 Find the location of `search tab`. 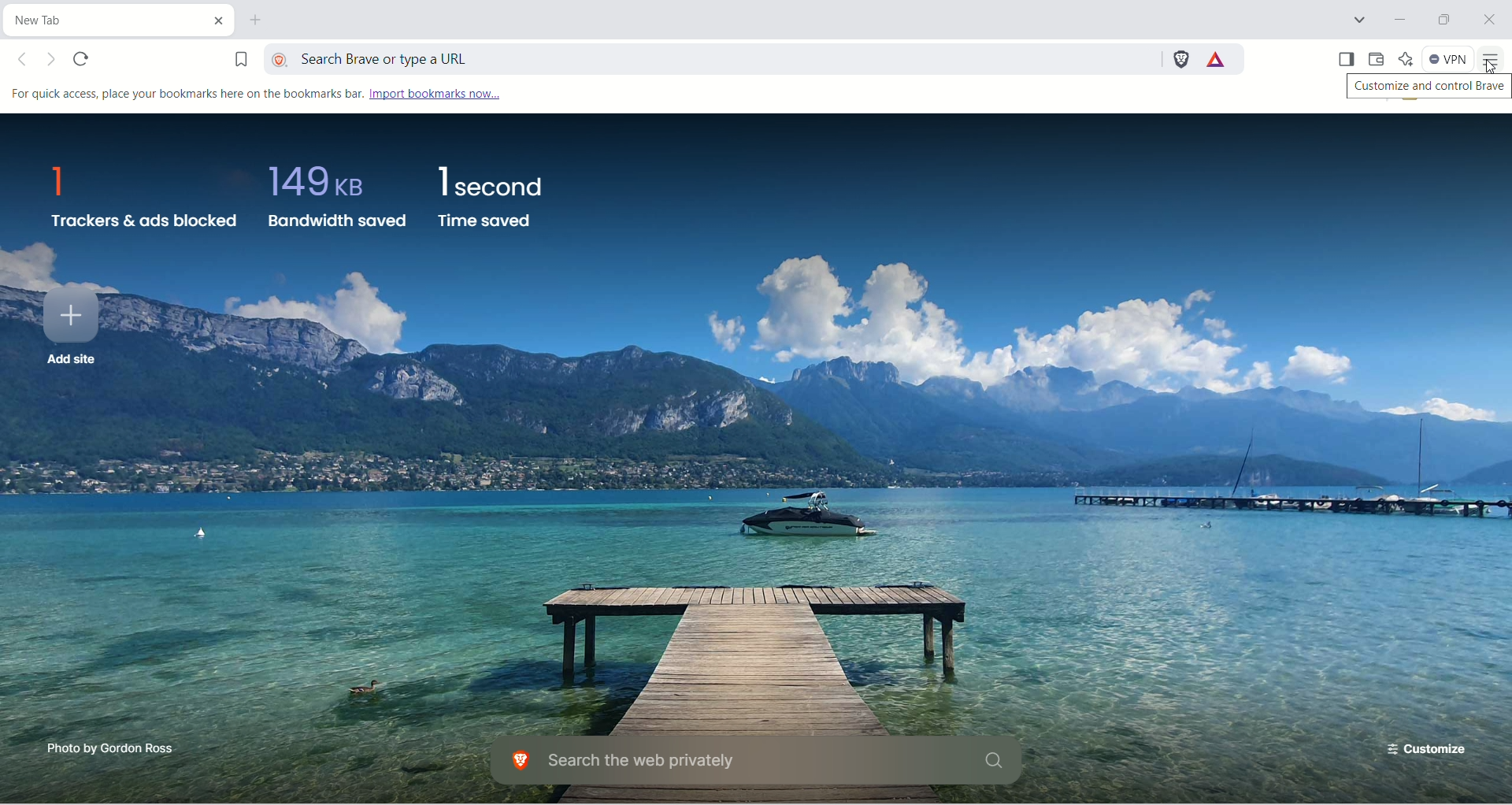

search tab is located at coordinates (1362, 20).